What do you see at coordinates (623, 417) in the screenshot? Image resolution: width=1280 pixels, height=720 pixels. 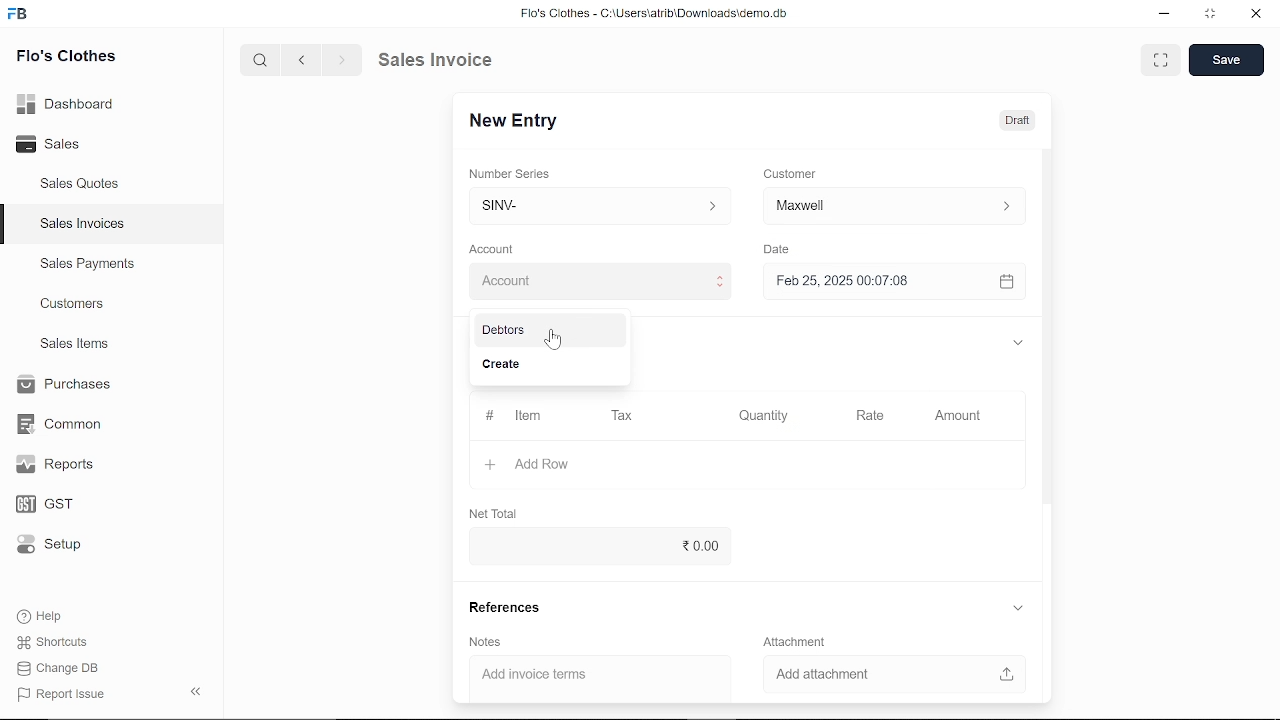 I see `Tax` at bounding box center [623, 417].